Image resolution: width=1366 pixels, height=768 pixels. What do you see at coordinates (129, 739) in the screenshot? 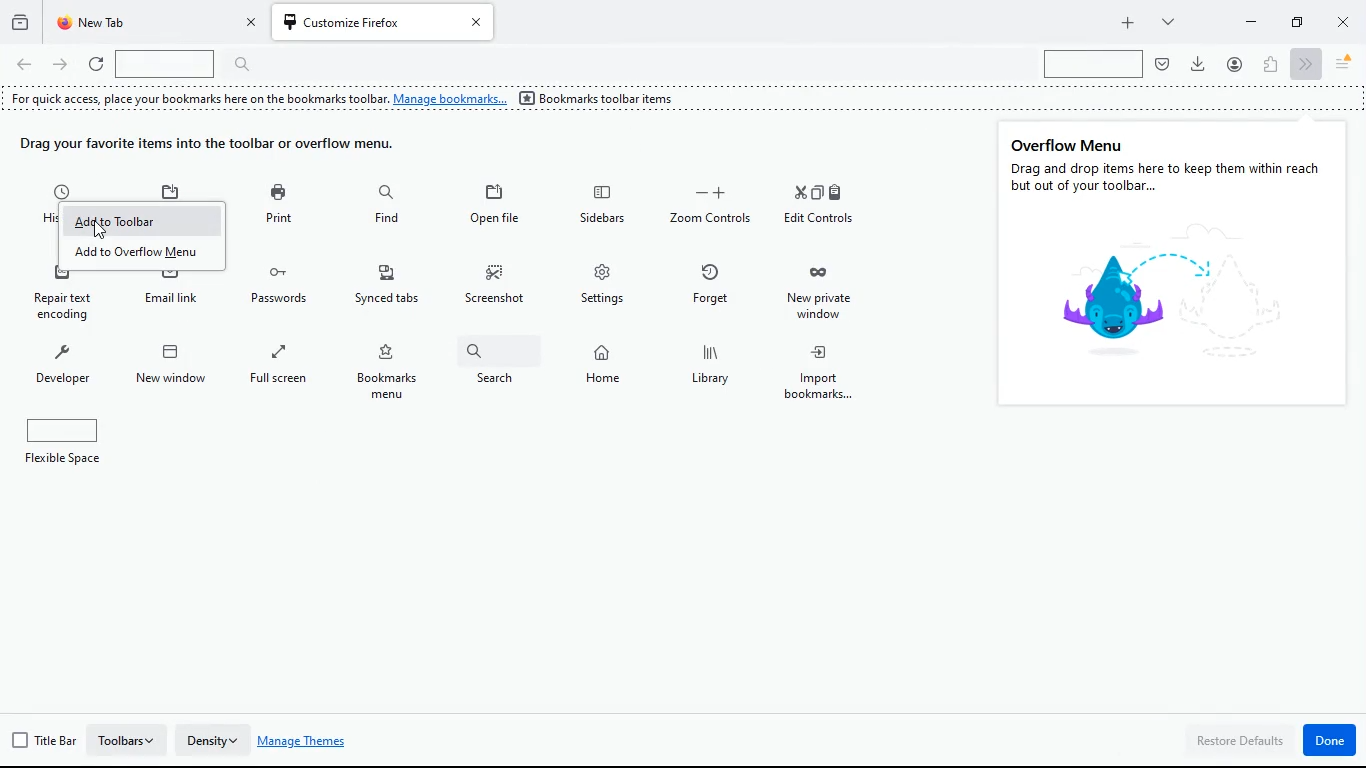
I see `toolbars` at bounding box center [129, 739].